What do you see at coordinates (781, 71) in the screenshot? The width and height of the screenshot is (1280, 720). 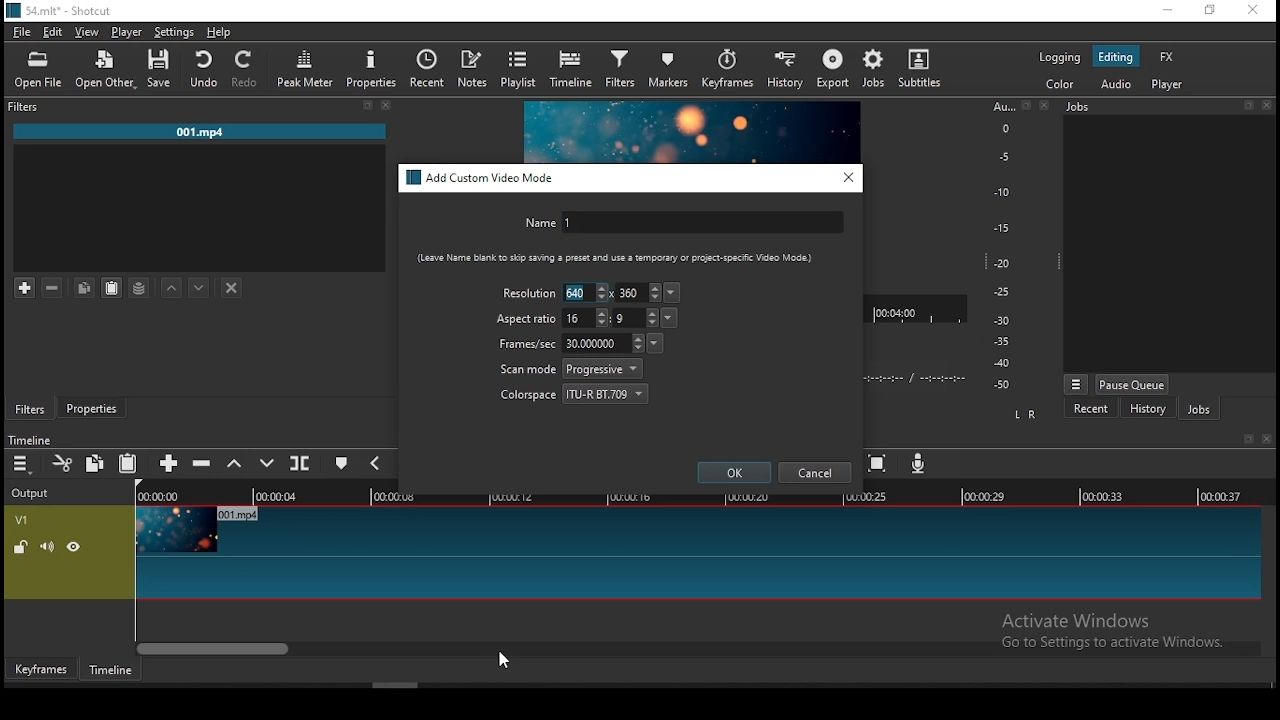 I see `history` at bounding box center [781, 71].